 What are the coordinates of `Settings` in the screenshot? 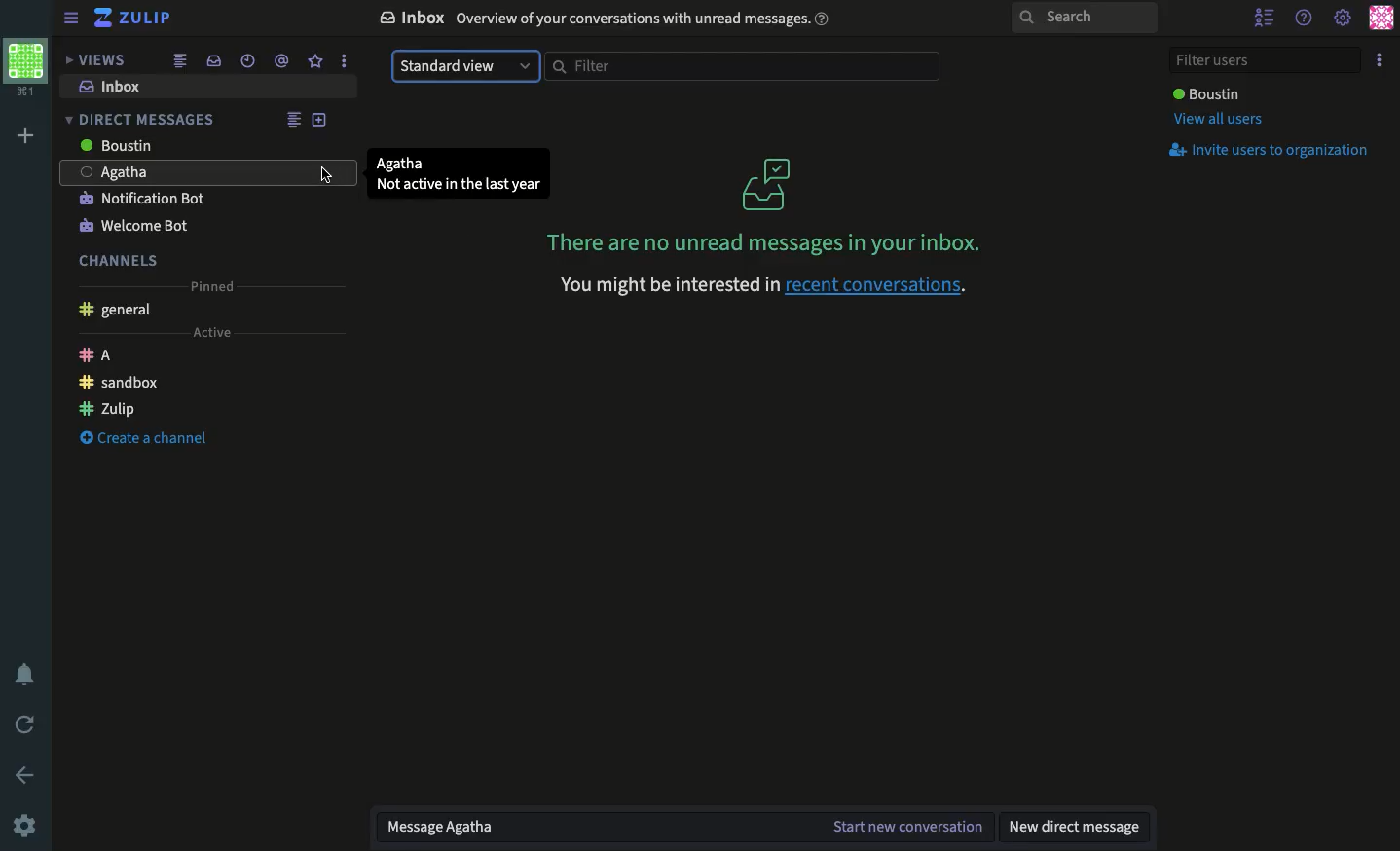 It's located at (1344, 16).